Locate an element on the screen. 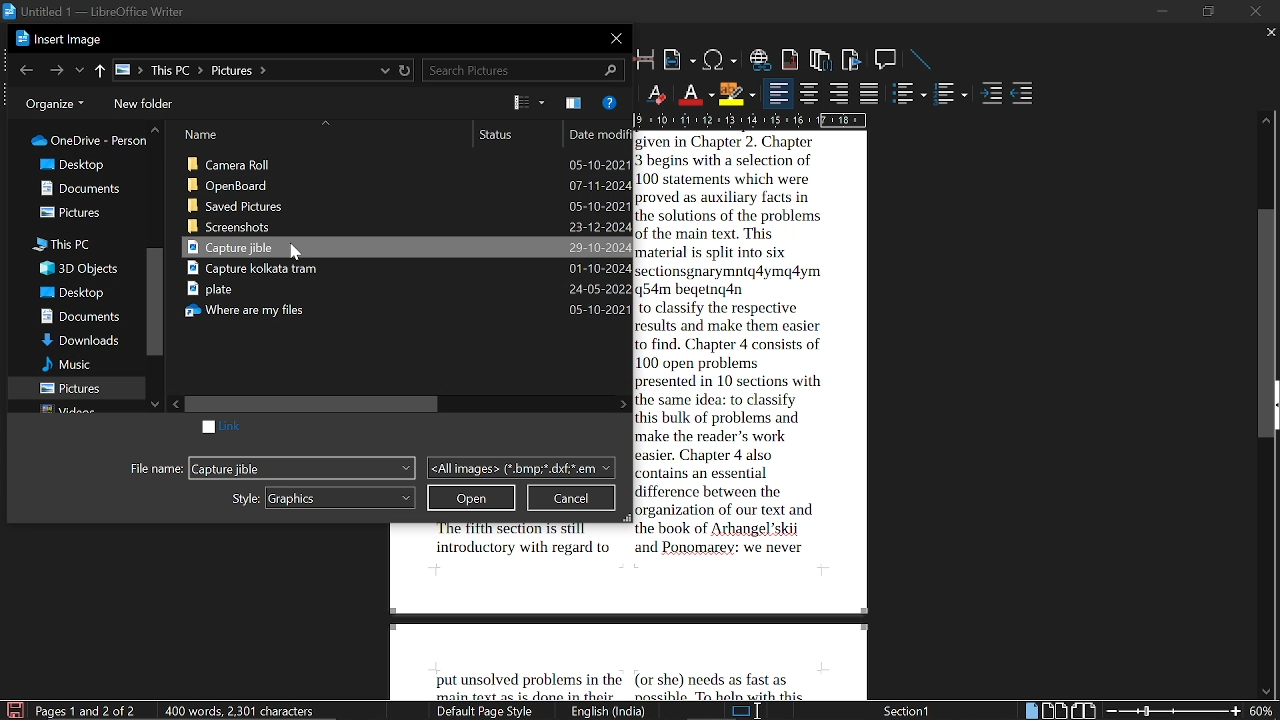  open is located at coordinates (471, 497).